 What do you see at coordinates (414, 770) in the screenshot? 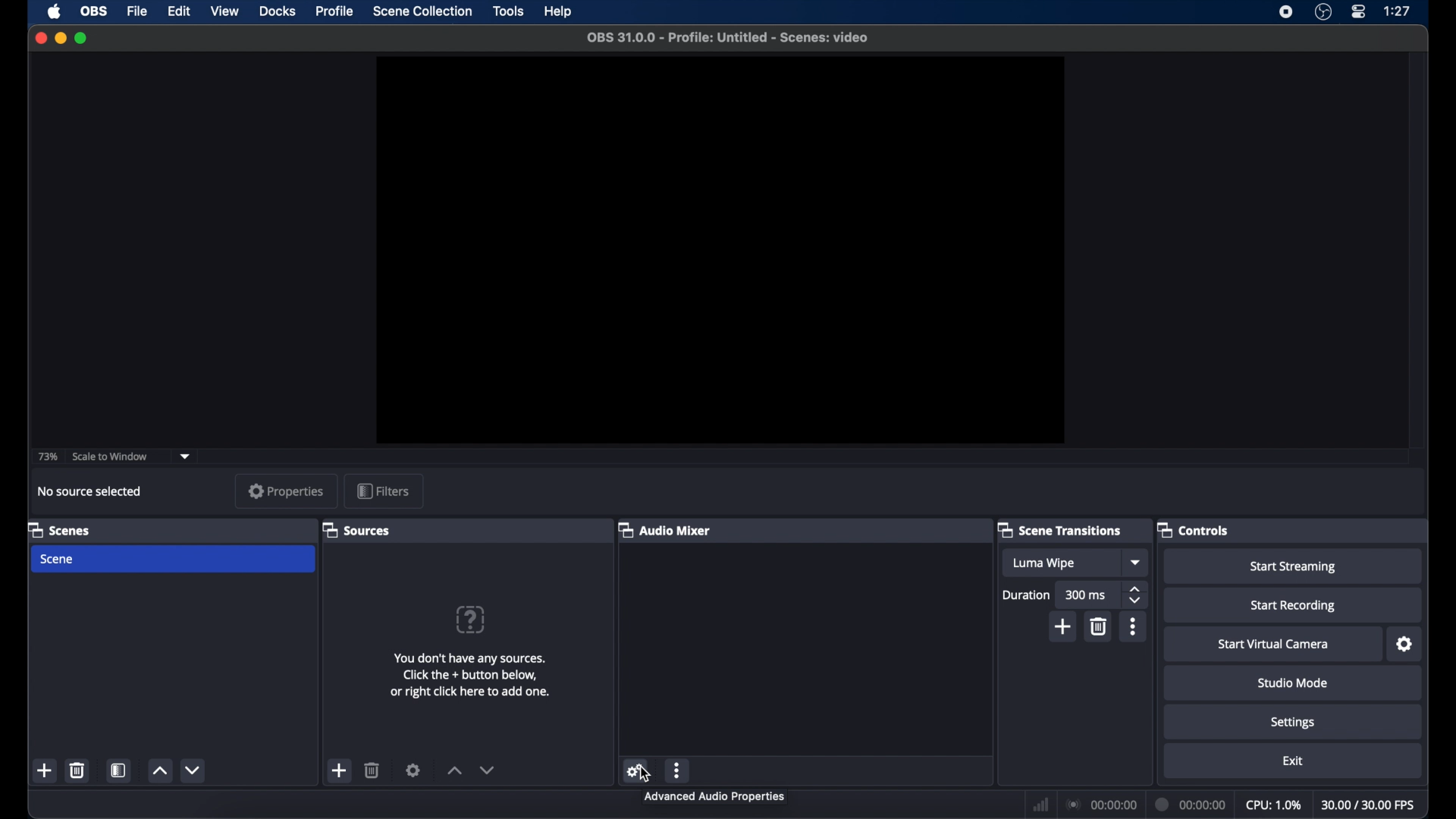
I see `settings` at bounding box center [414, 770].